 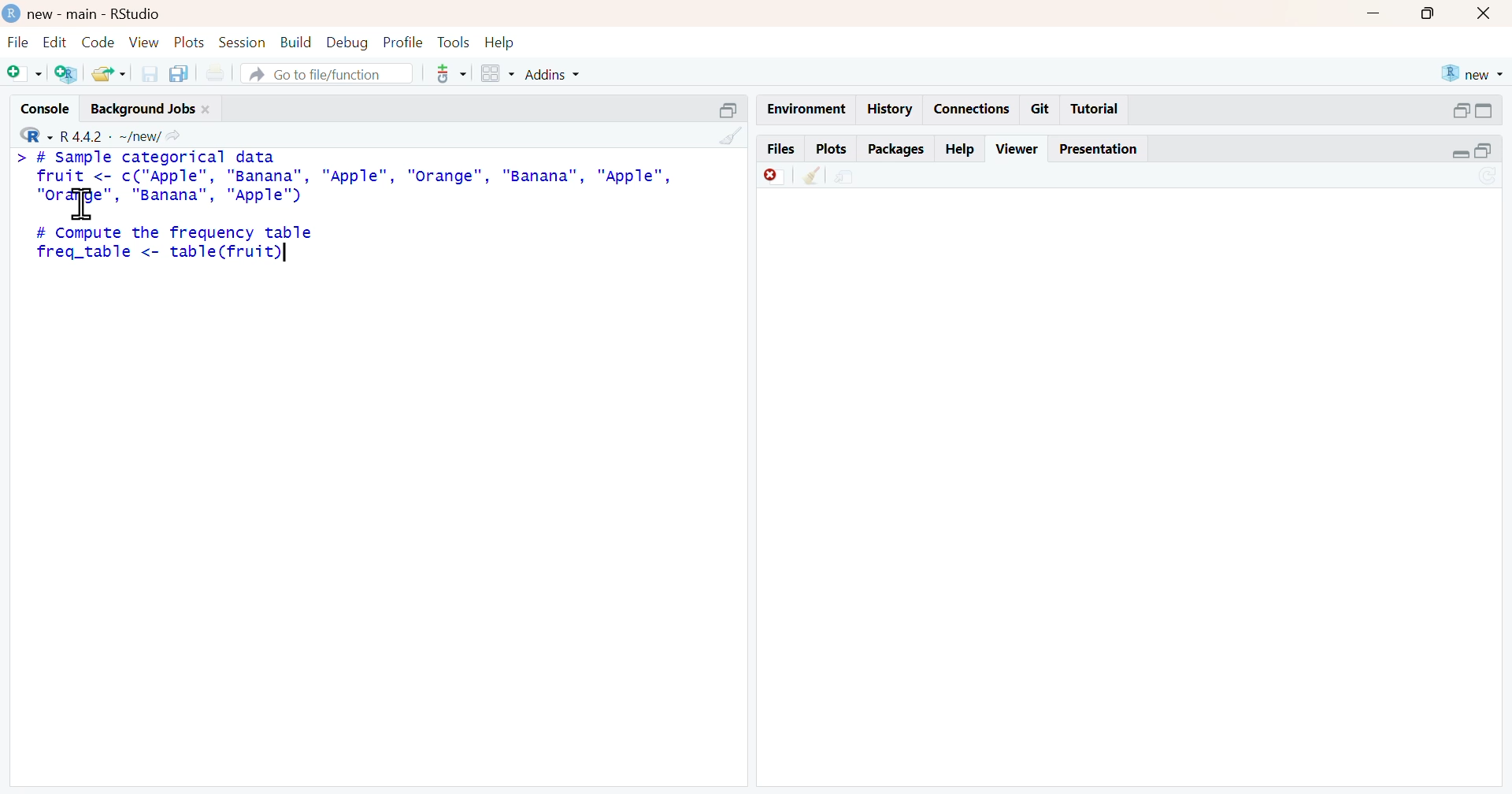 What do you see at coordinates (1488, 15) in the screenshot?
I see `close` at bounding box center [1488, 15].